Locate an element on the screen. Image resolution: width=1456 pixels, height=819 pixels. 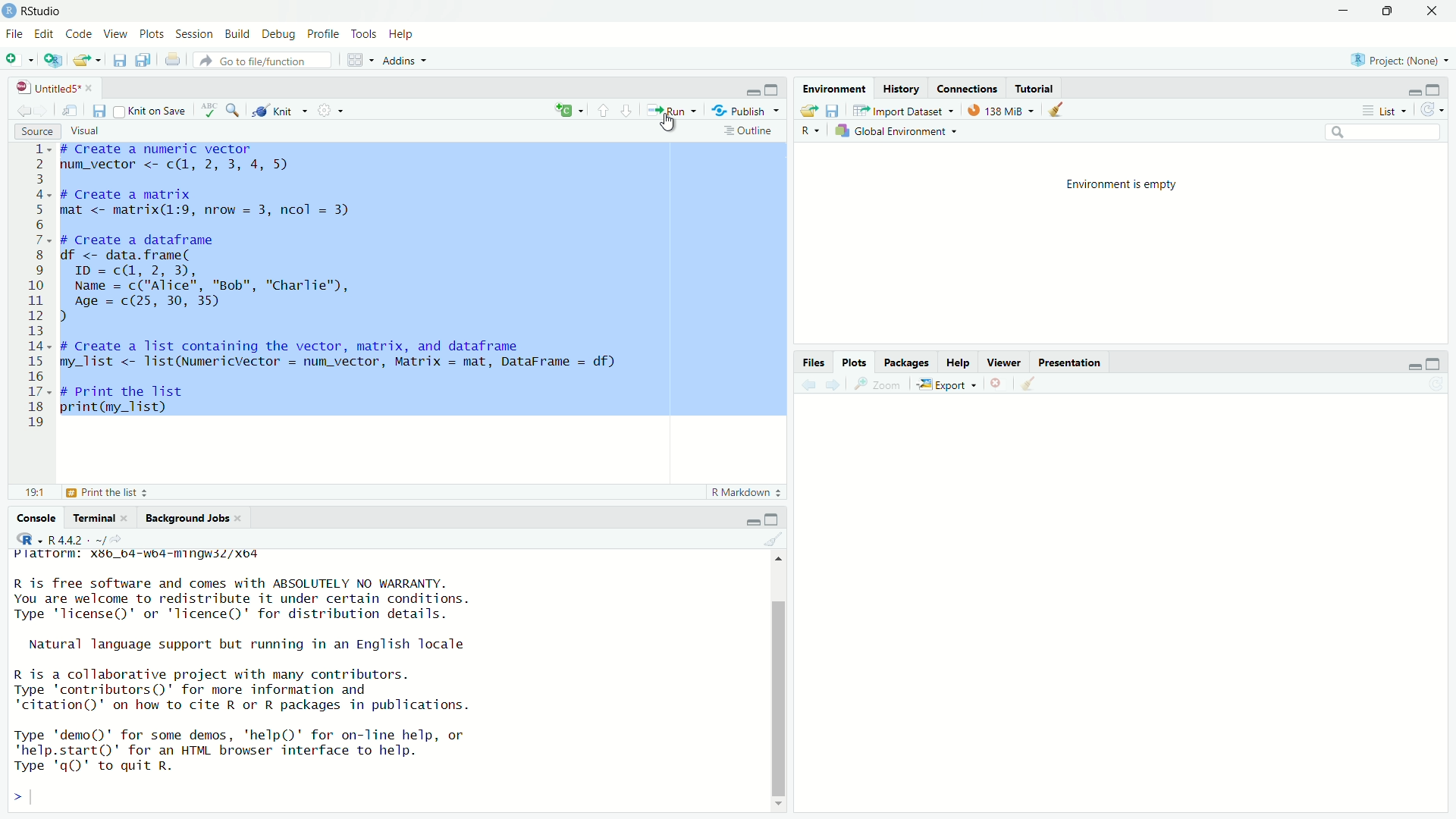
1- # Create a numeric vector

2 num_vector <- c(1, 2, 3, 4, 5)

8

4- # Create a matrix

5 mat <- matrix(1:9, nrow = 3, ncol = 3)

6

7~ # Create a dataframe

8 df <- data.frame(

9 ID =c(, 2, 3),

10 Name = c("Alice", "Bob", "Charlie"

11 Age = c(25, 30, 35)

12

13

14 - # Create a list containing the vector, matrix, and dataframe
15 my_list <- Tist(NumericVector = num_vector, Matrix = mat, DataFrame = df)
16

17 - # Print the list

18 print(my_list)

ie is located at coordinates (325, 287).